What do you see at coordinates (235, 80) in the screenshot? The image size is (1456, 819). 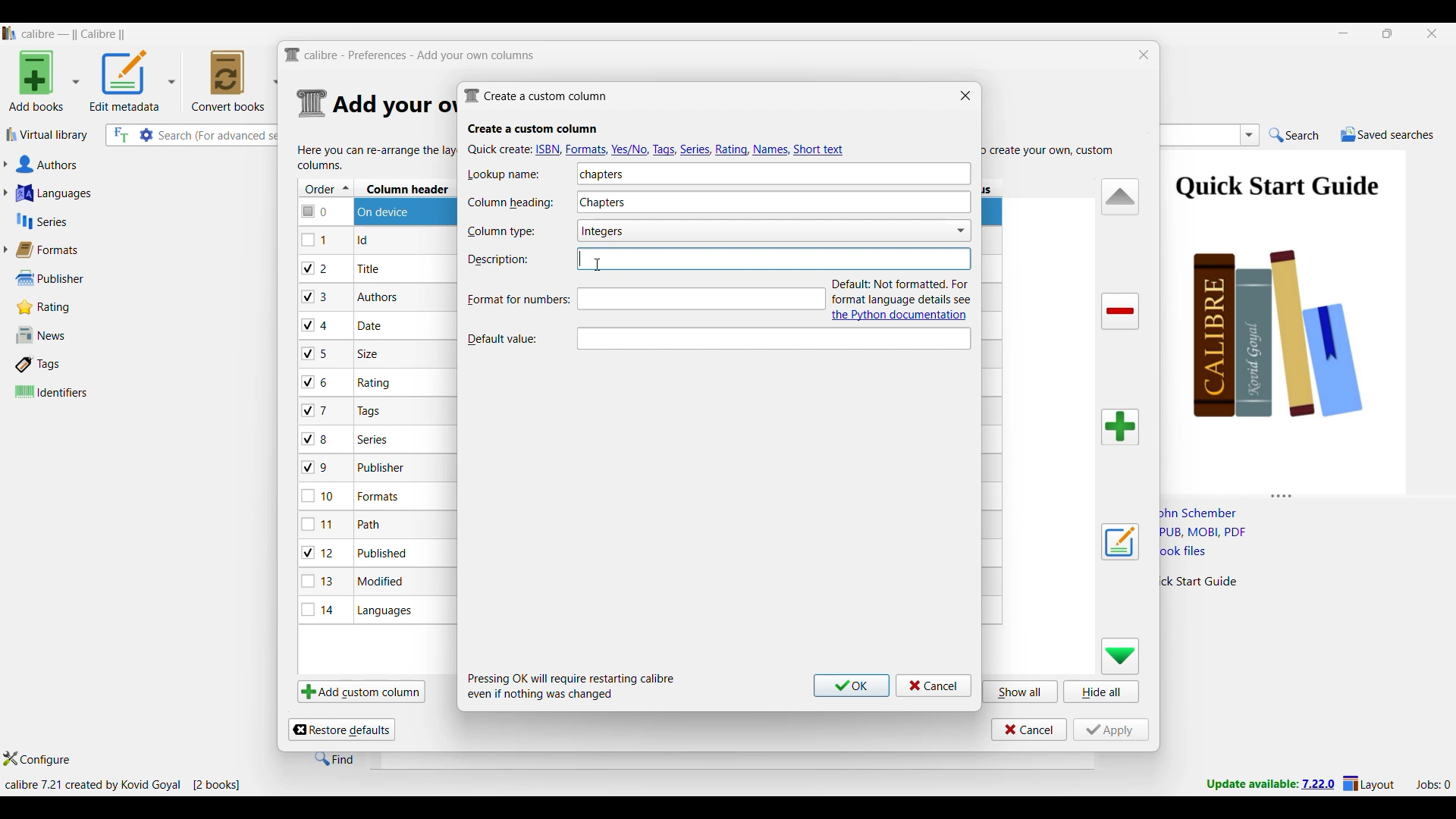 I see `Convert books options` at bounding box center [235, 80].